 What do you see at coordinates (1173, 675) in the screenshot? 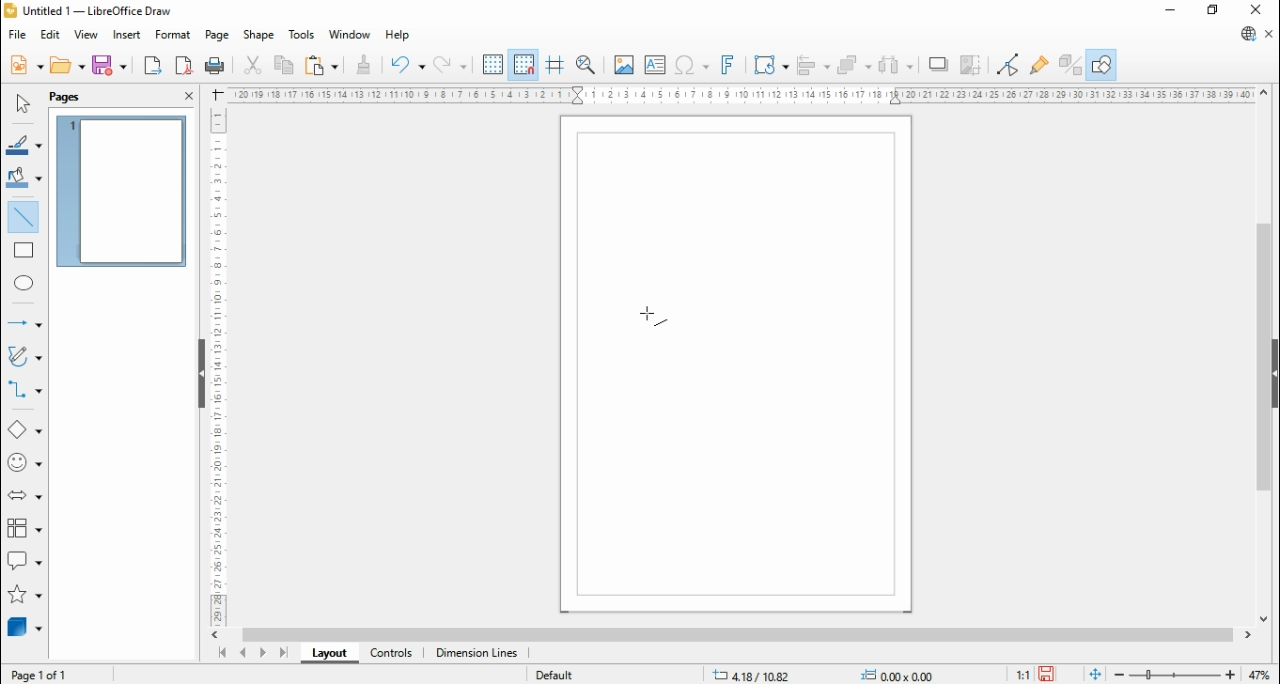
I see `zoom slider` at bounding box center [1173, 675].